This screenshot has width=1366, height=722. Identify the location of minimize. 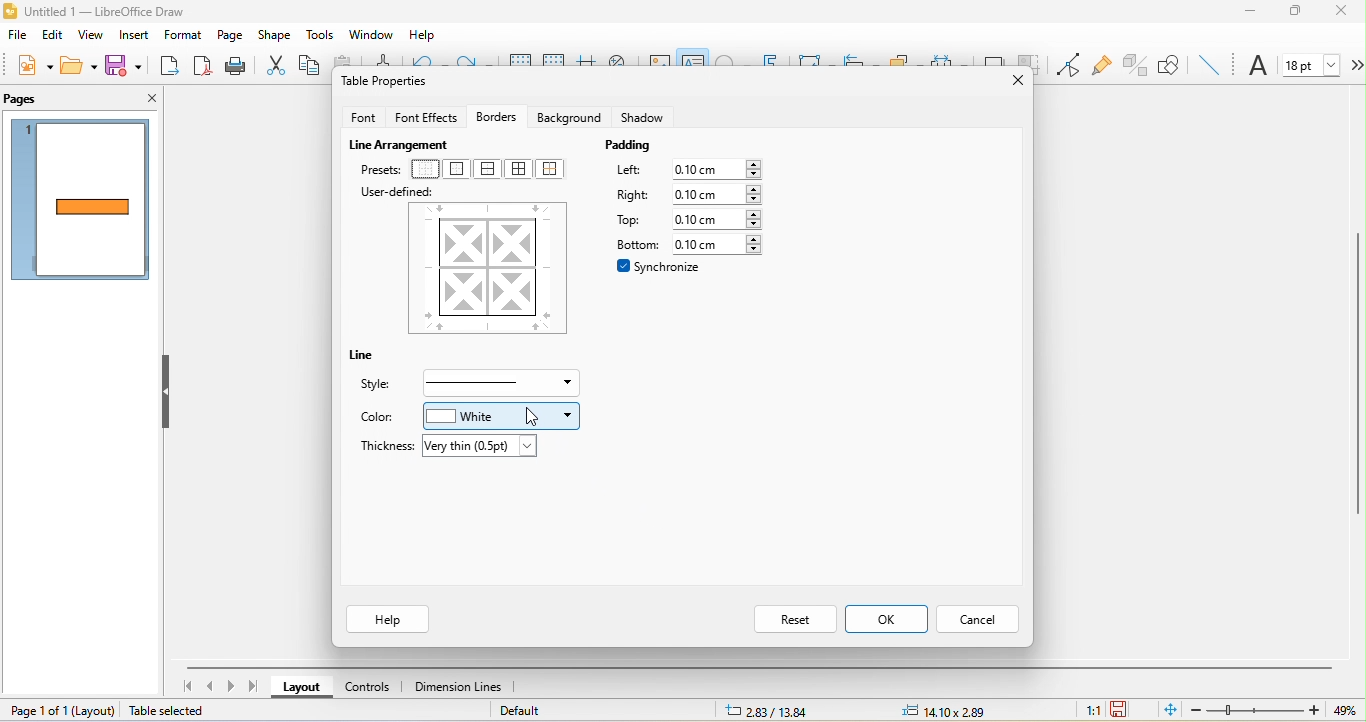
(1253, 14).